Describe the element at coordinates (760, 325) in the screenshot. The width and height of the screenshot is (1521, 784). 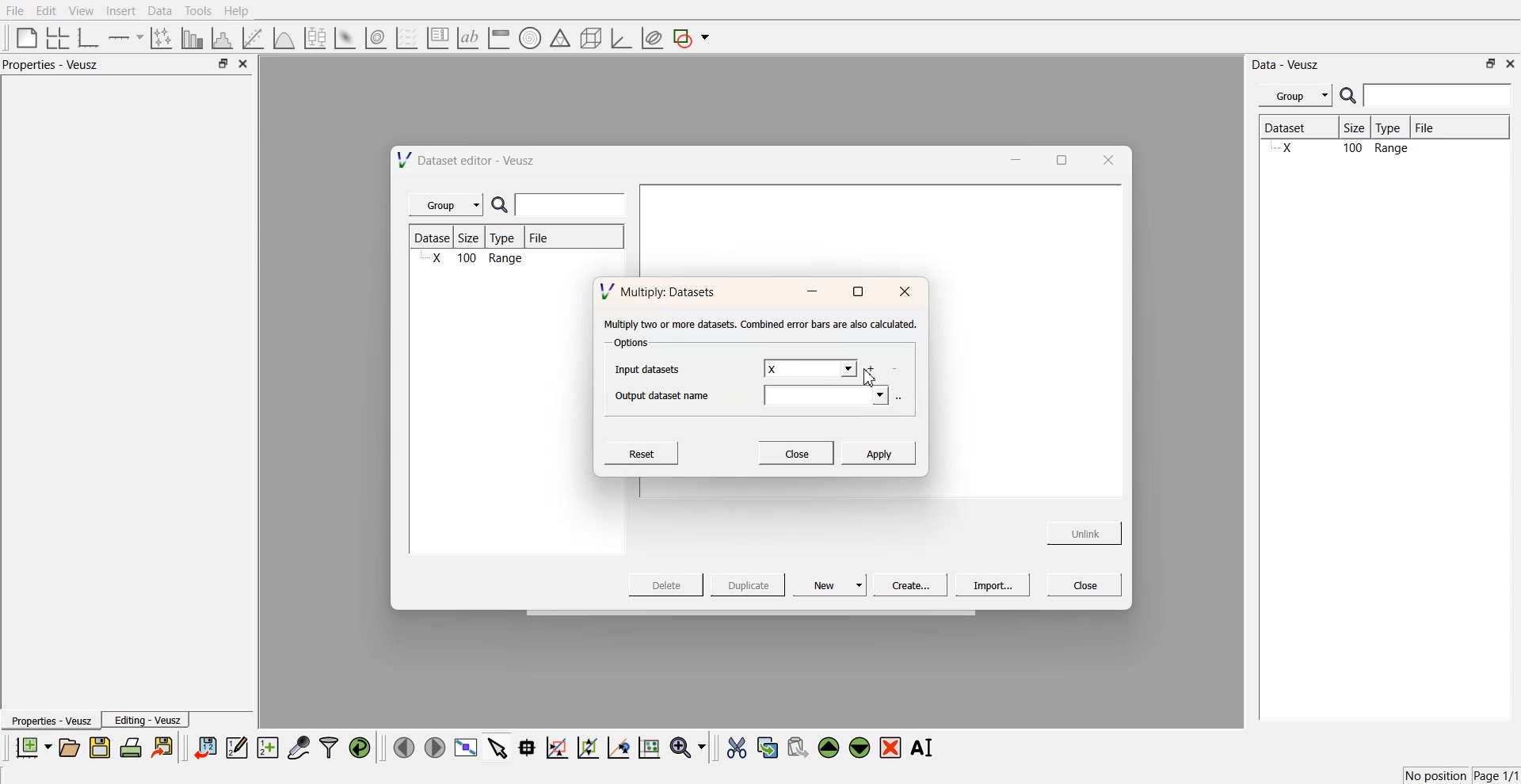
I see `‘Multiply two or more datasets. Combined error bars are also calculated.` at that location.